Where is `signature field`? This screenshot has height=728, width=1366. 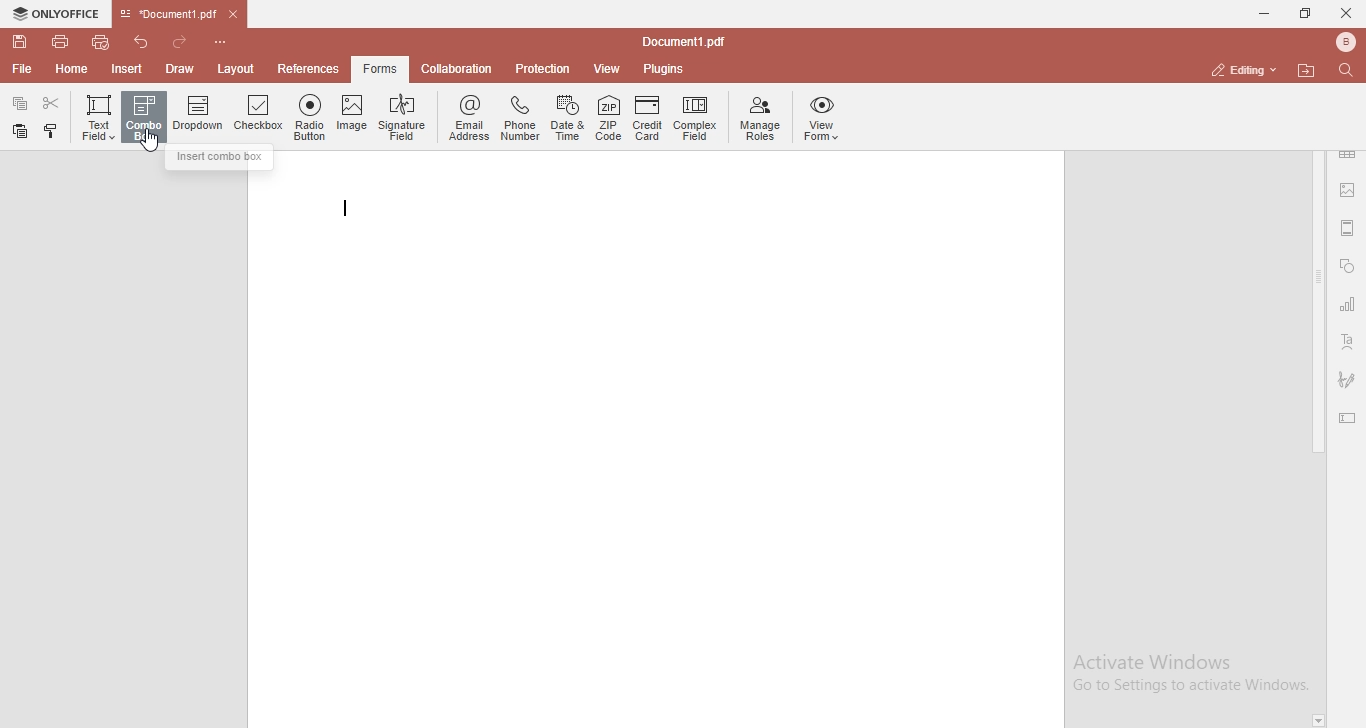 signature field is located at coordinates (404, 117).